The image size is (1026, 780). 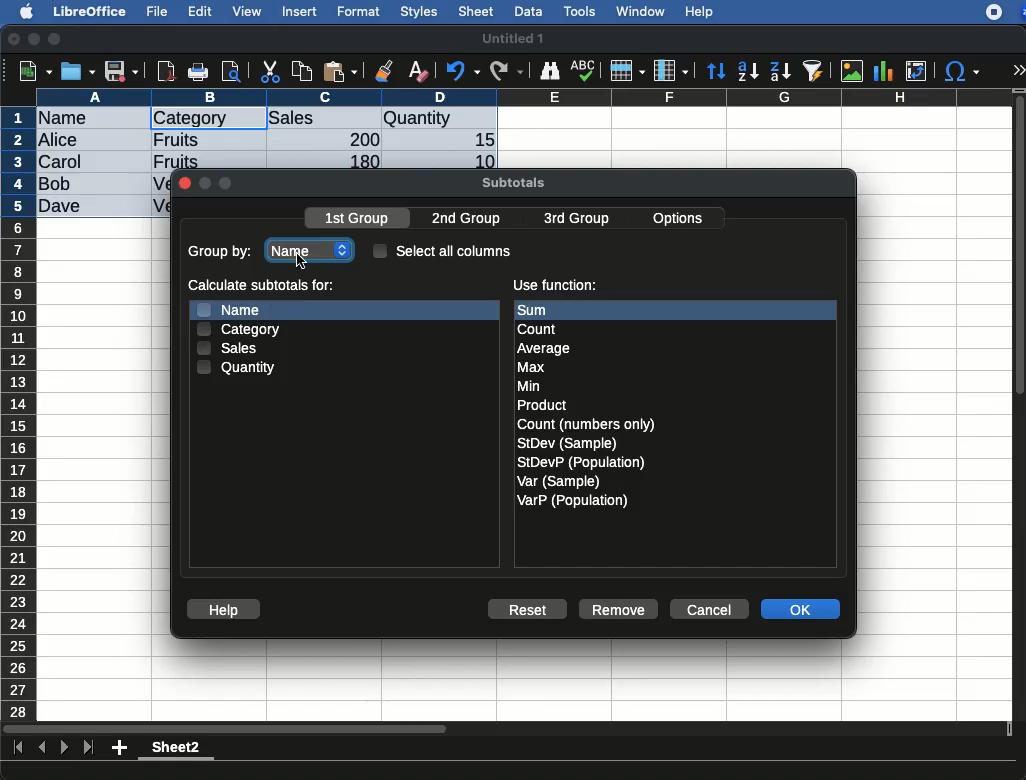 I want to click on row, so click(x=20, y=413).